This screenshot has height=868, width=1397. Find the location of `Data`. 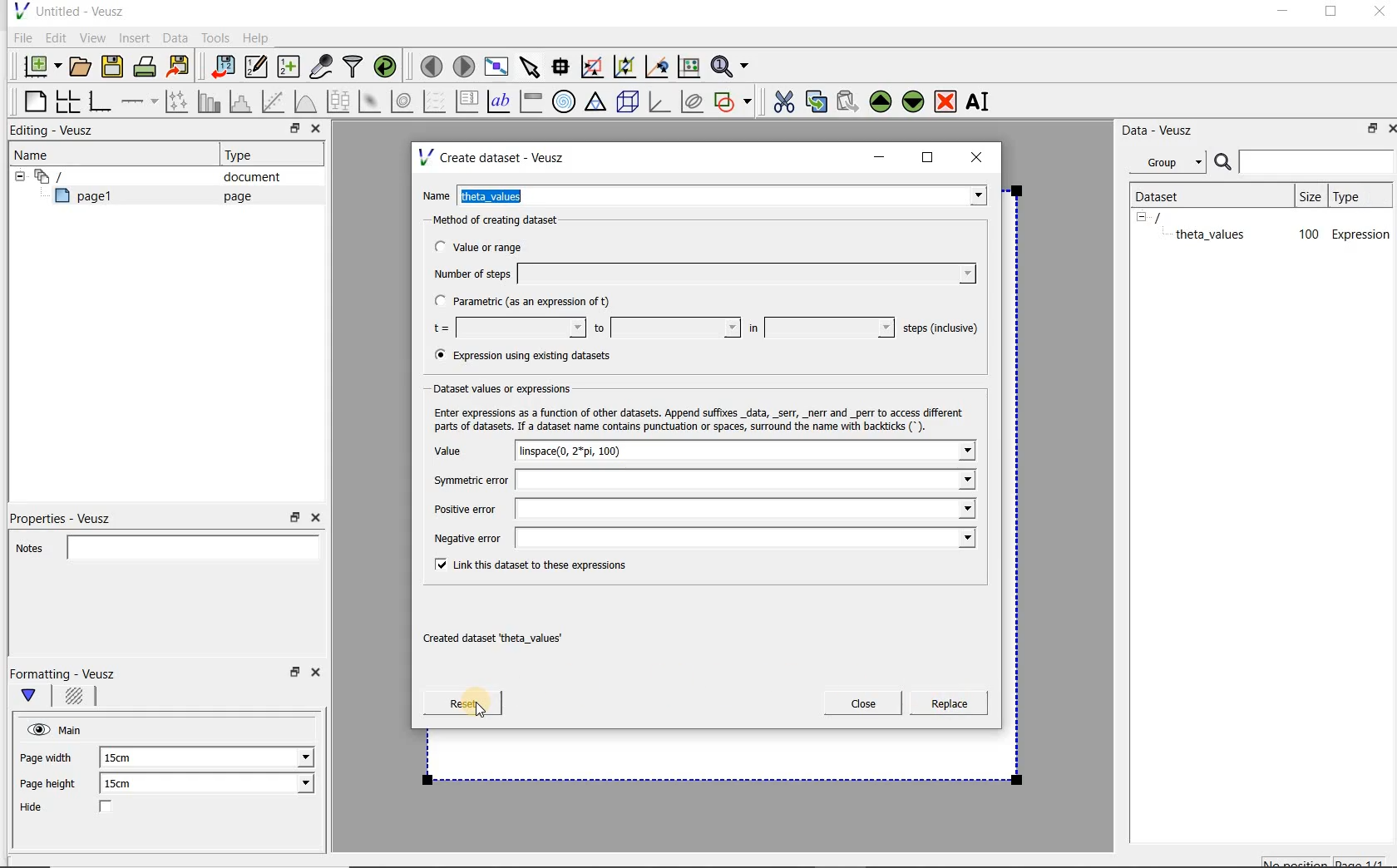

Data is located at coordinates (176, 37).